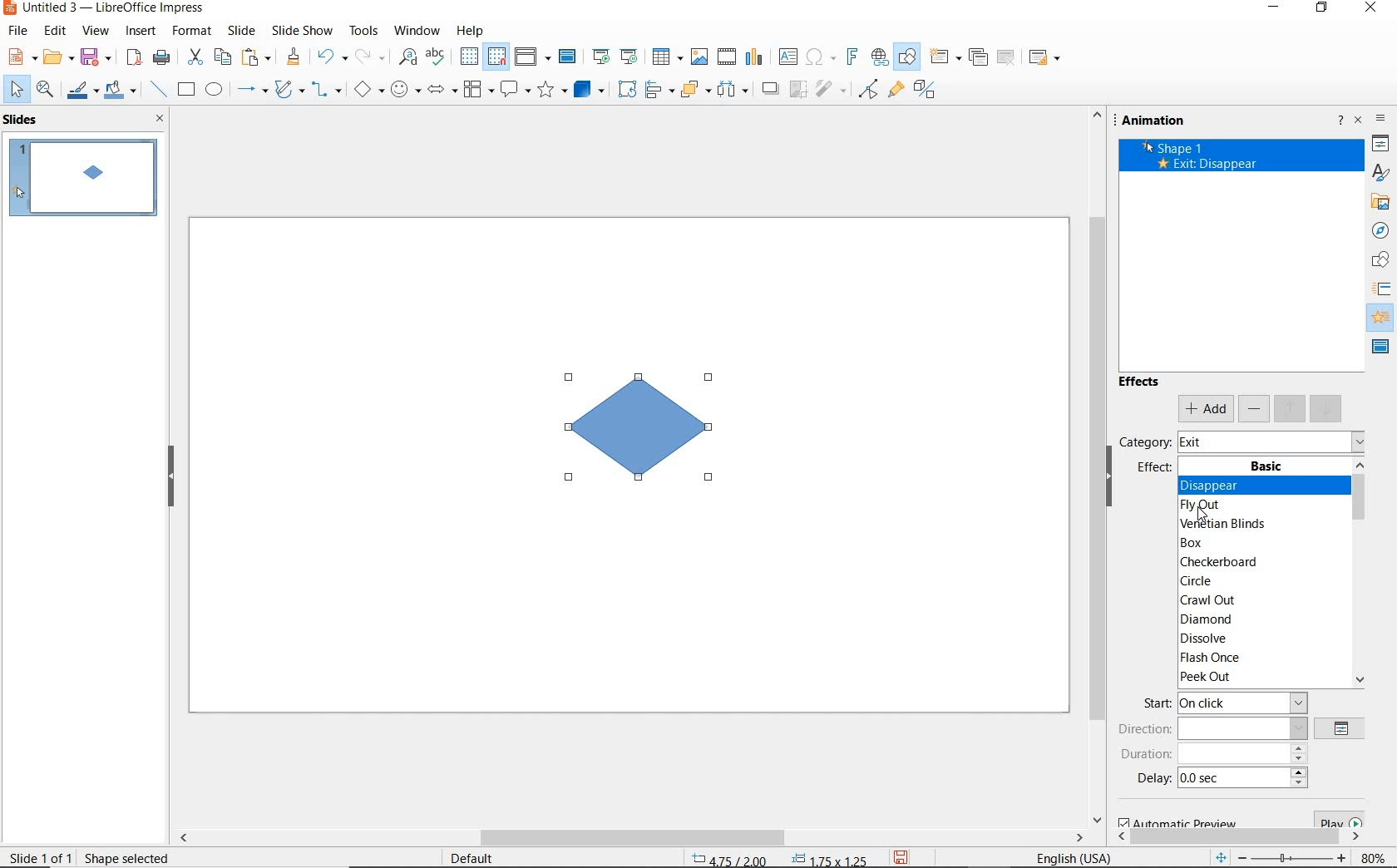  I want to click on styles, so click(1381, 173).